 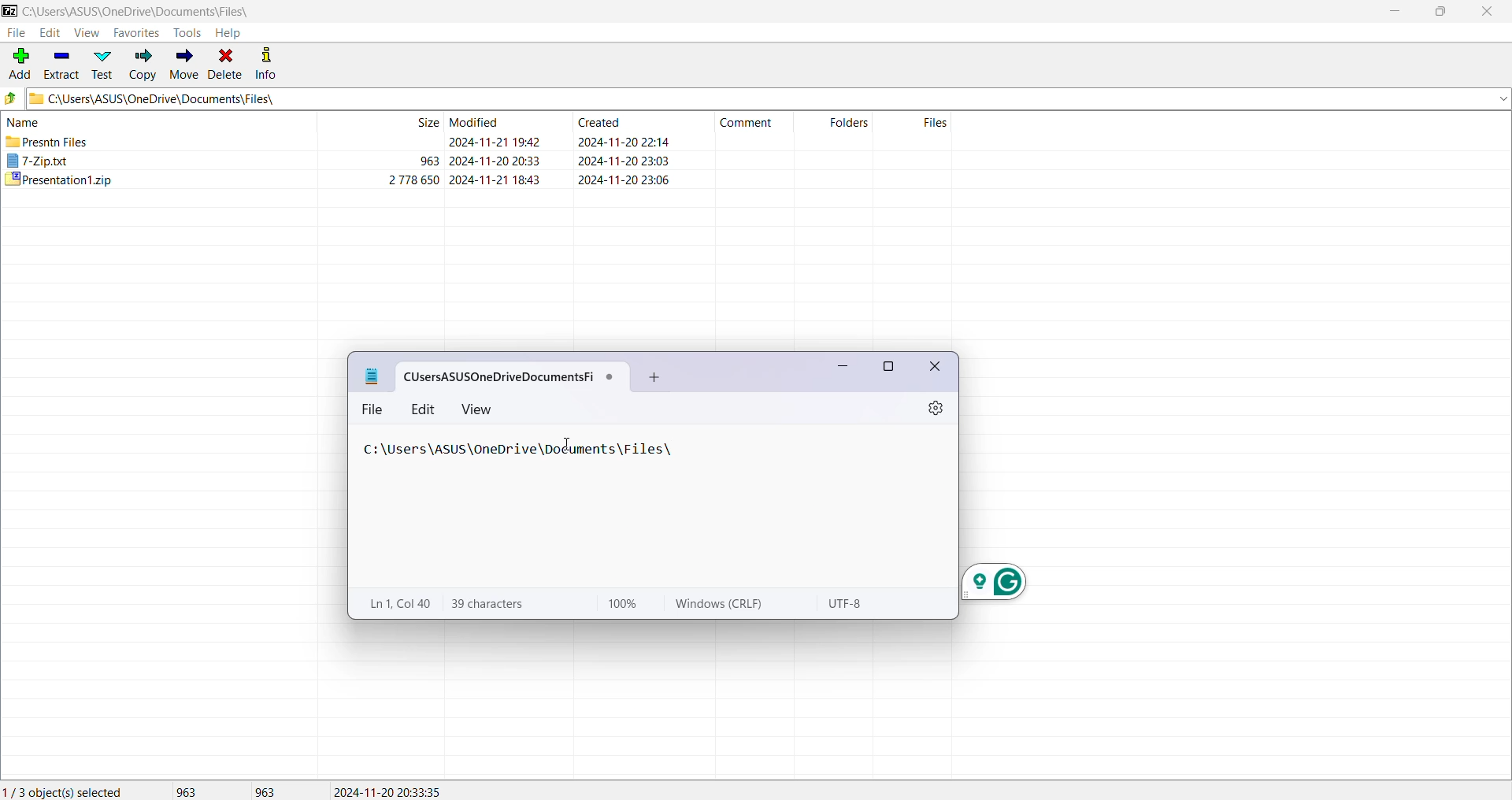 I want to click on Current Folder Path , so click(x=768, y=99).